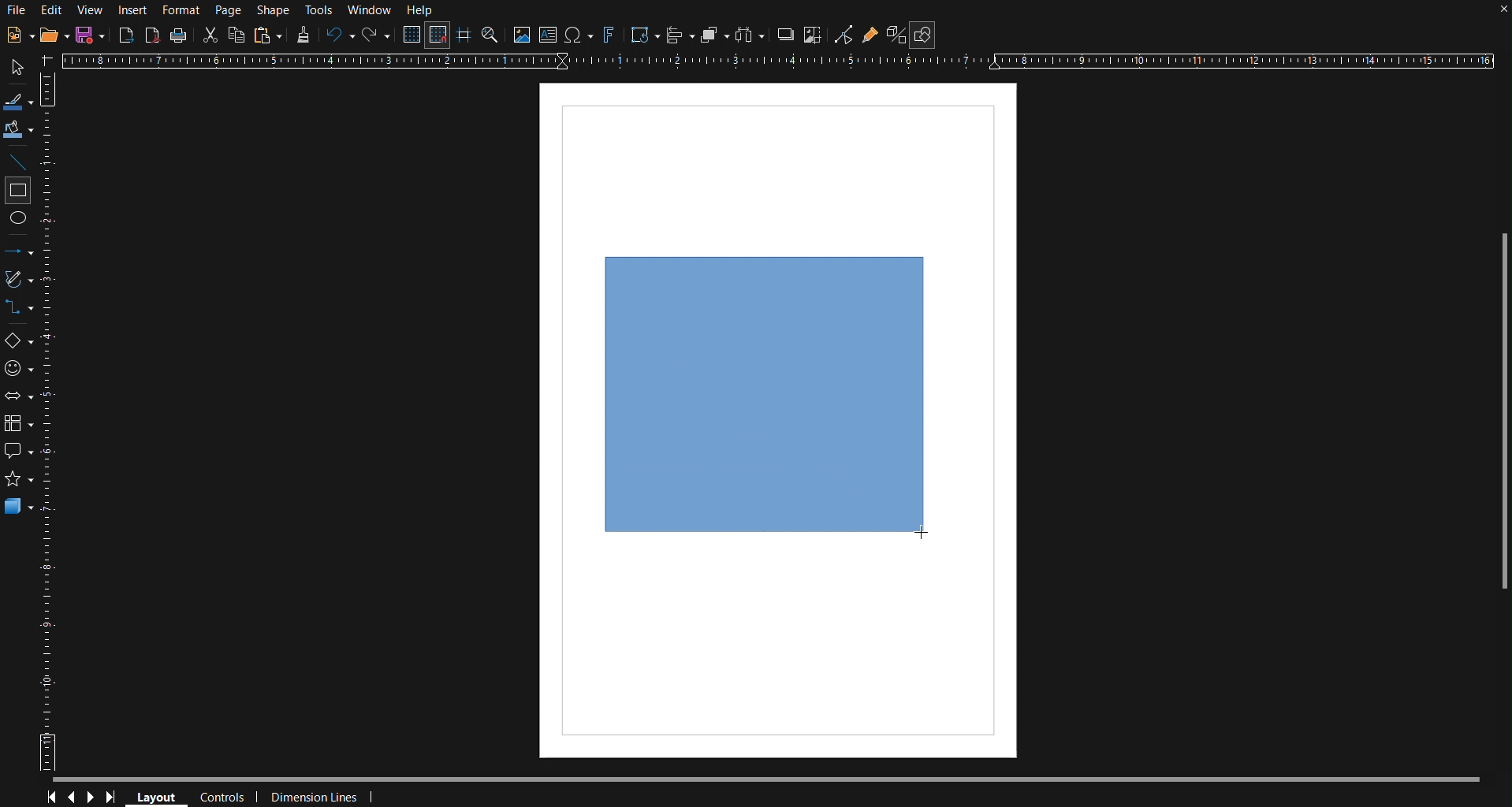 The width and height of the screenshot is (1512, 807). I want to click on Paste, so click(268, 35).